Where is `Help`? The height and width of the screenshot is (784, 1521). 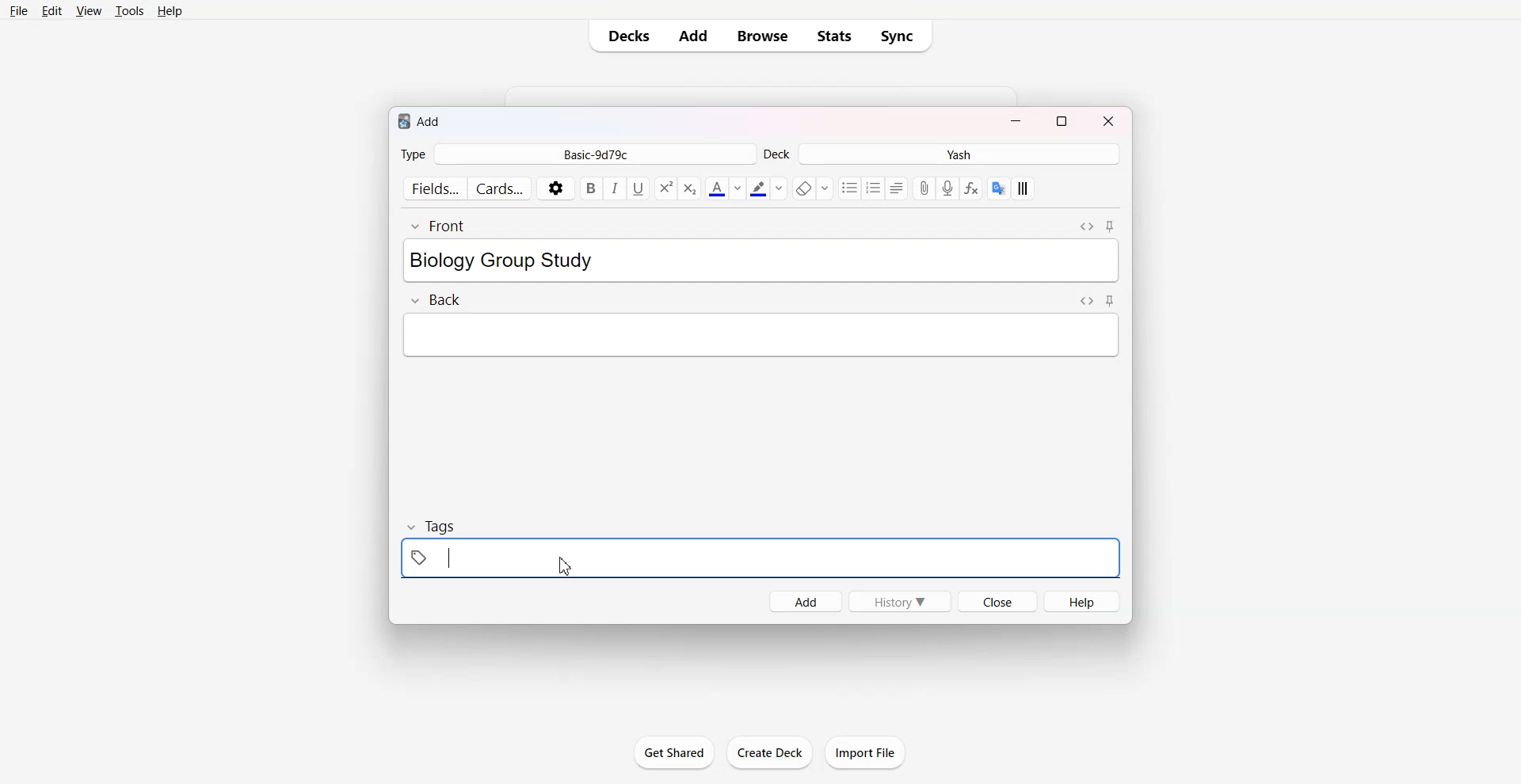 Help is located at coordinates (173, 12).